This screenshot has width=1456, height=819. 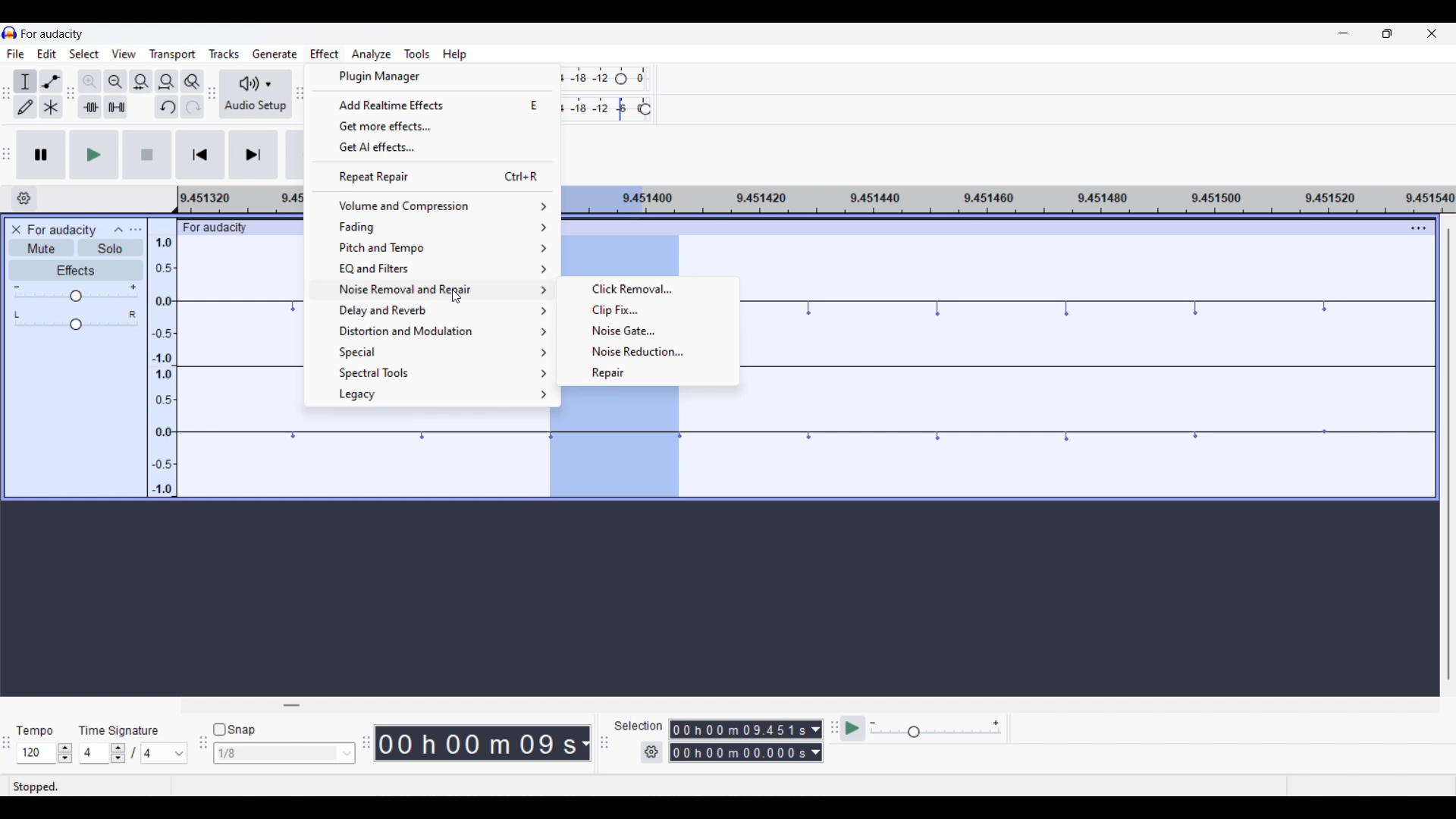 I want to click on Pan scale, so click(x=76, y=320).